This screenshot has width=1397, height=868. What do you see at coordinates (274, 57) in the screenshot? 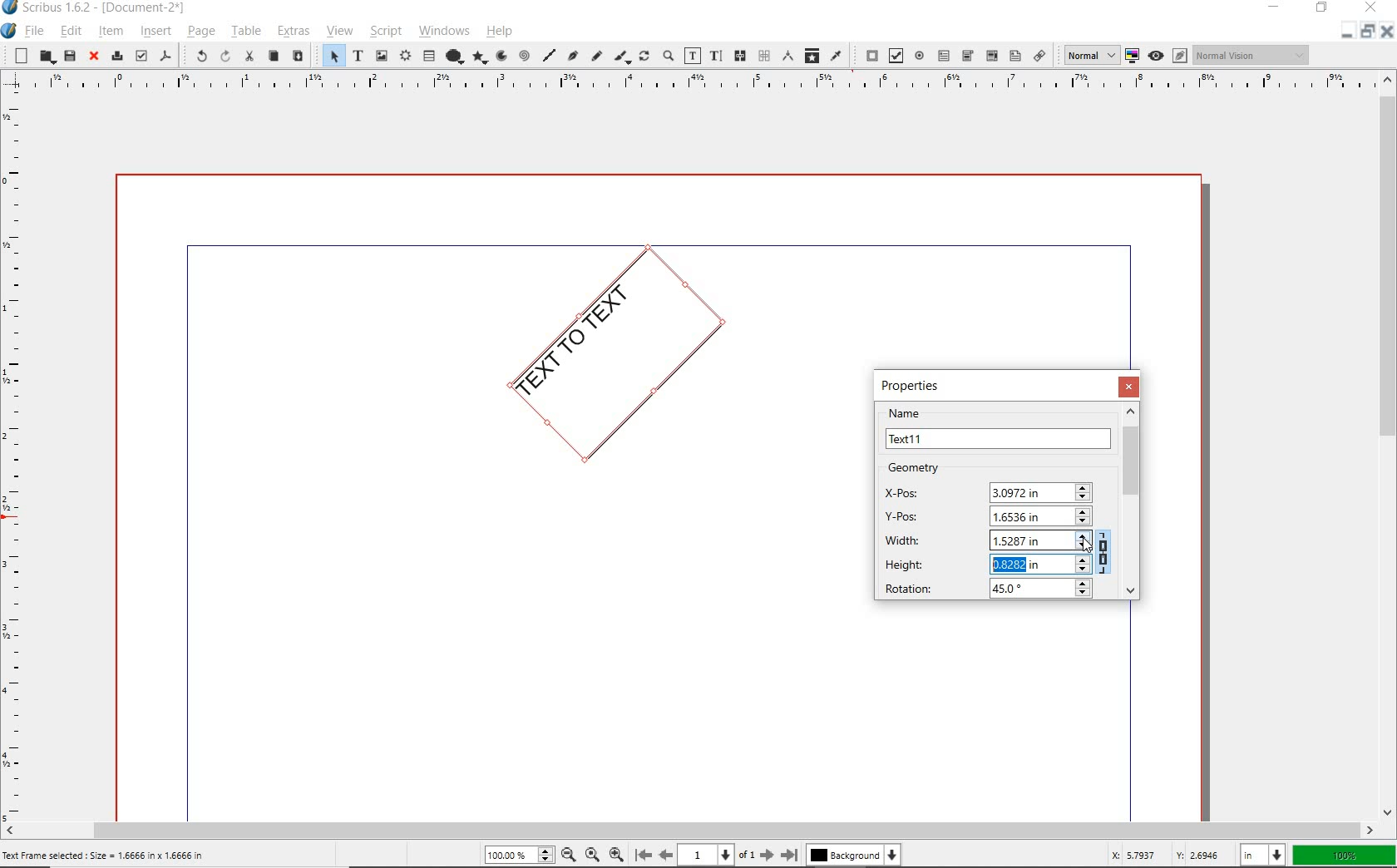
I see `copy` at bounding box center [274, 57].